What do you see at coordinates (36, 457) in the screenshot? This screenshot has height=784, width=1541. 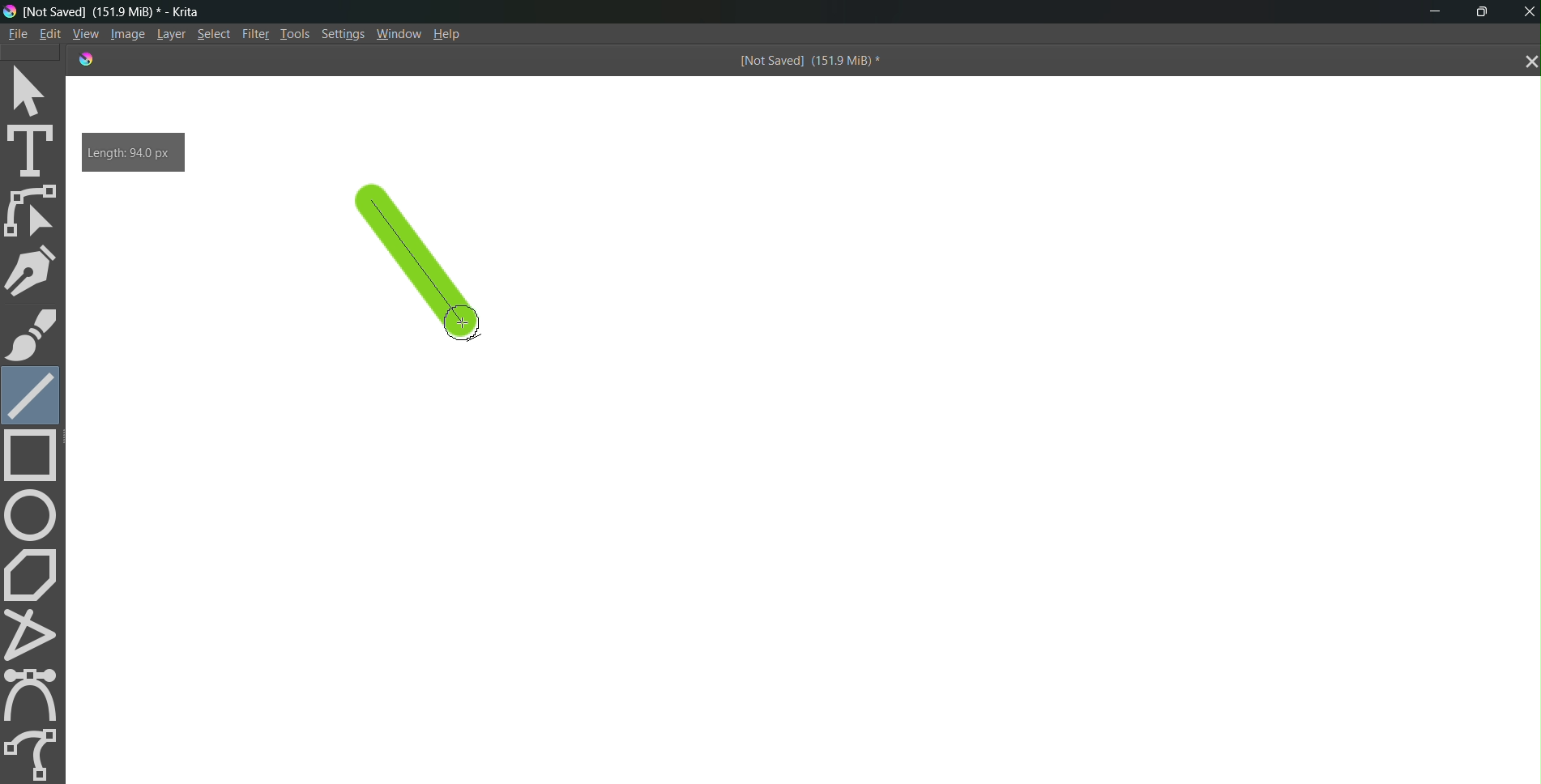 I see `rectangle` at bounding box center [36, 457].